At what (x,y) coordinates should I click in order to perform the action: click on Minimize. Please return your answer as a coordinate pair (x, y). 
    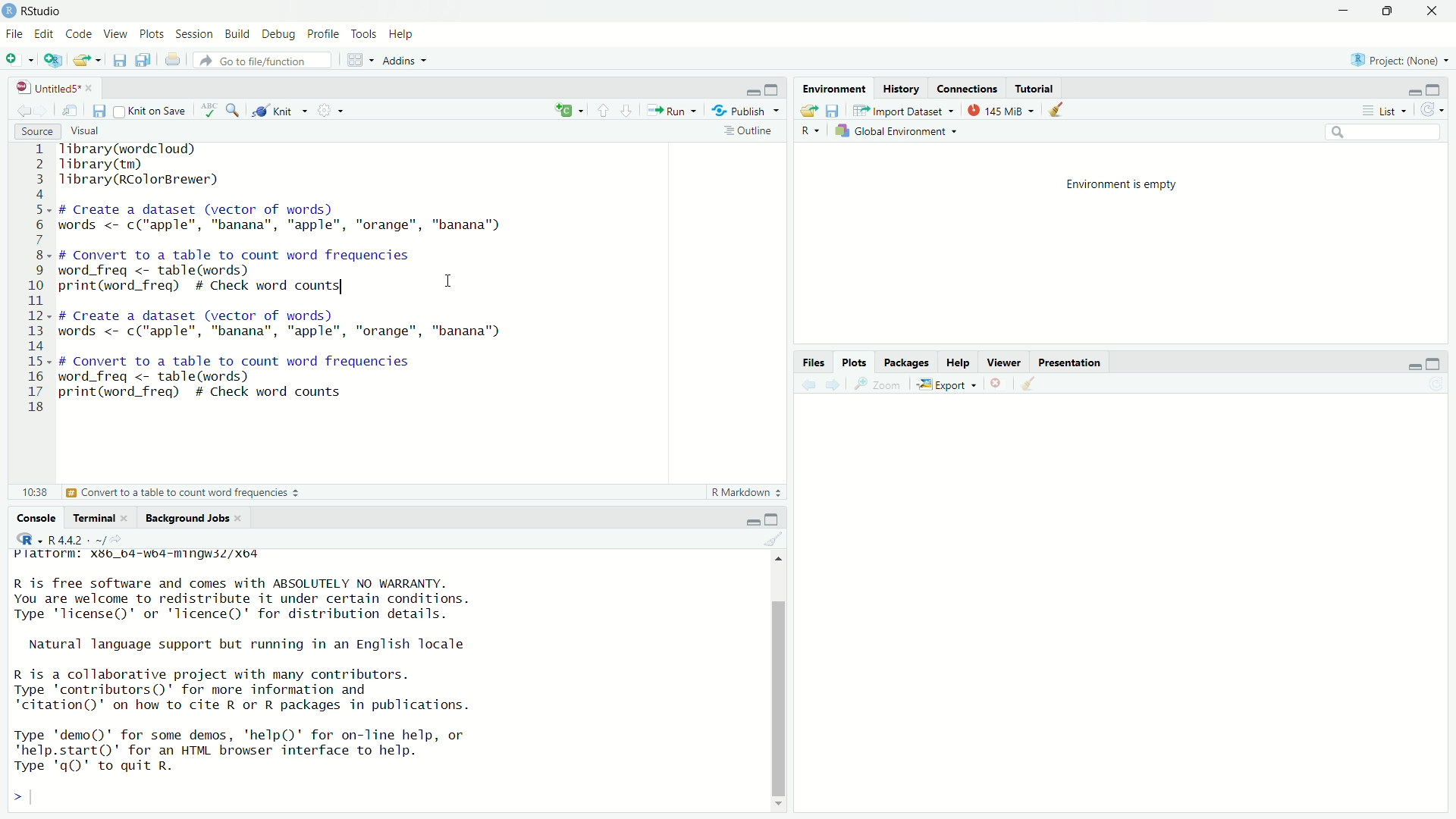
    Looking at the image, I should click on (1414, 95).